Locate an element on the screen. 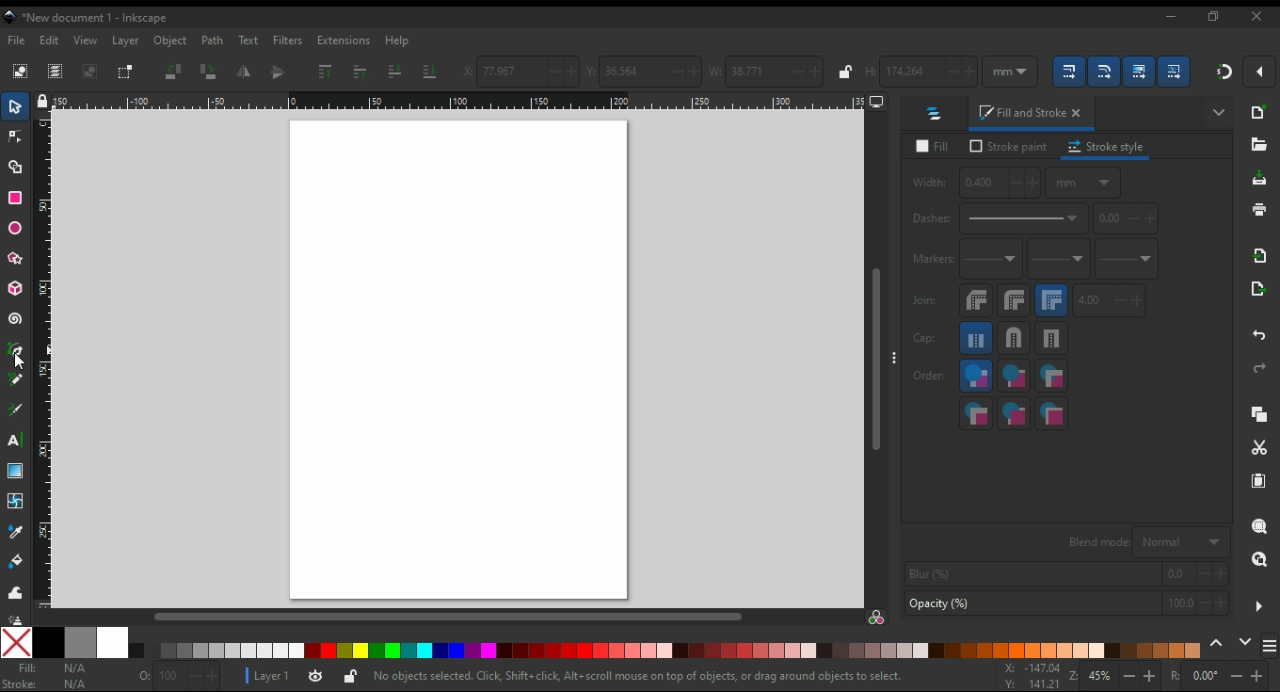 This screenshot has height=692, width=1280. join is located at coordinates (925, 301).